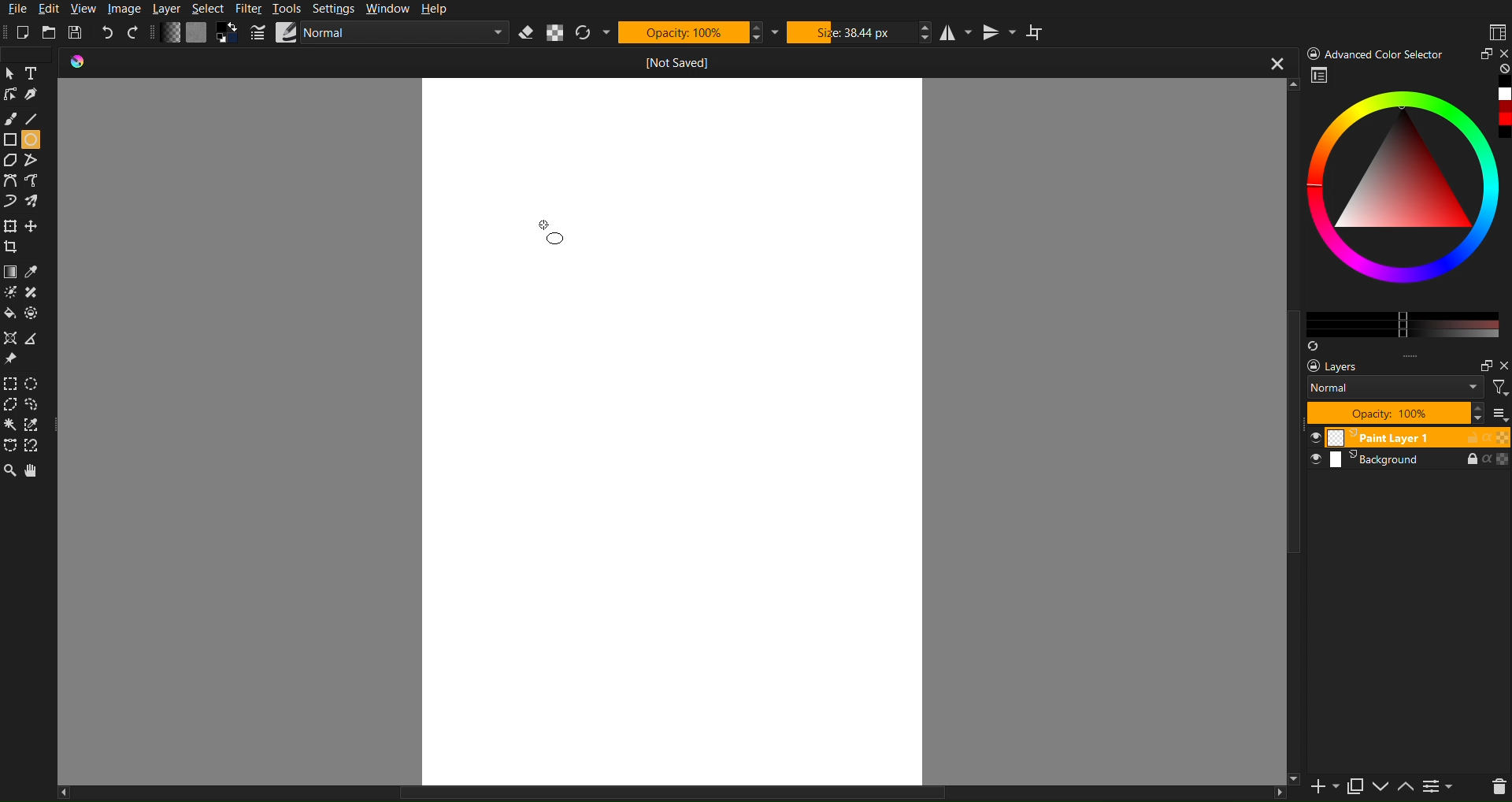  I want to click on Layers, so click(1336, 366).